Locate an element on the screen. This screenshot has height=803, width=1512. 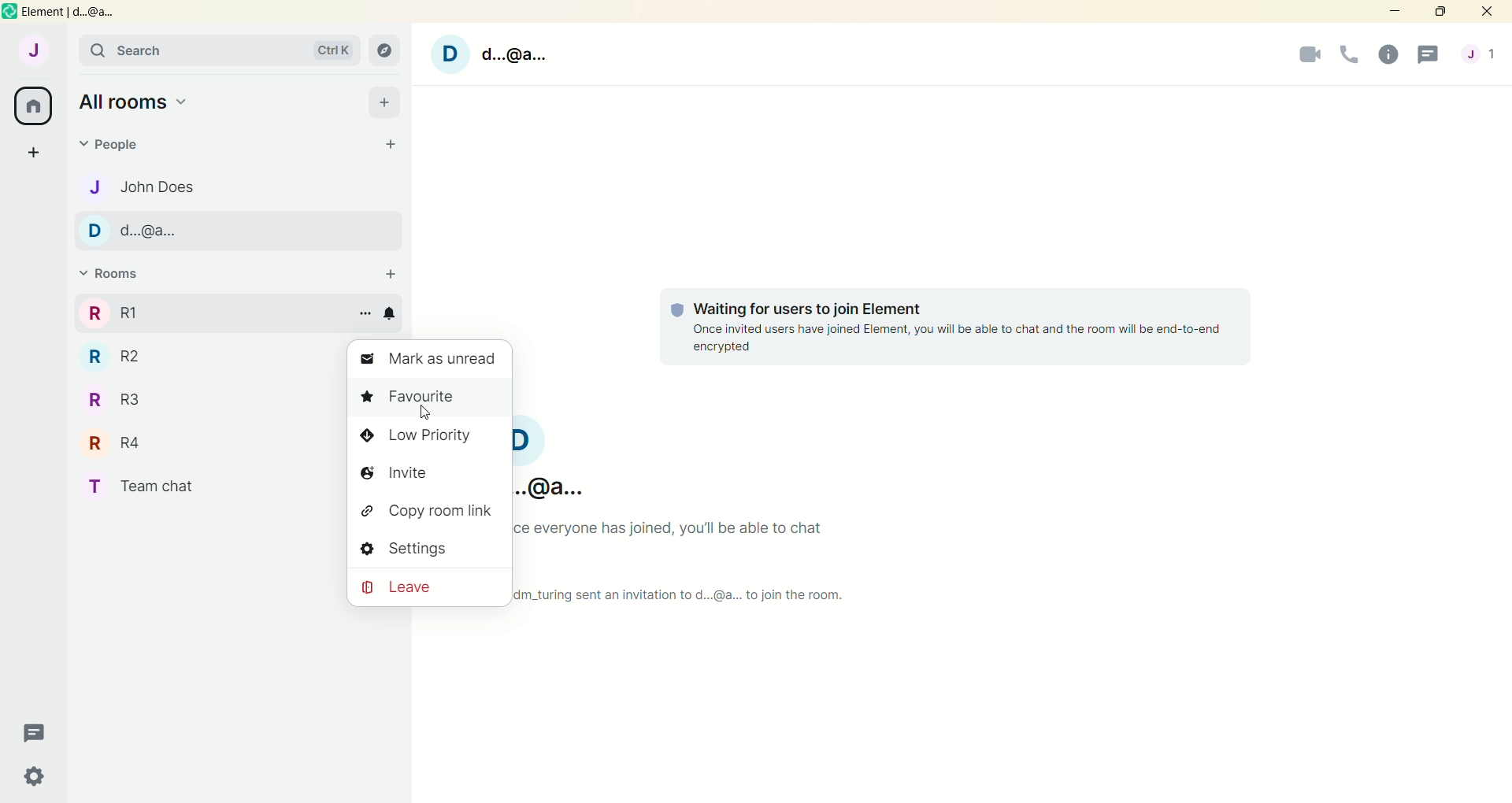
Favourite is located at coordinates (426, 393).